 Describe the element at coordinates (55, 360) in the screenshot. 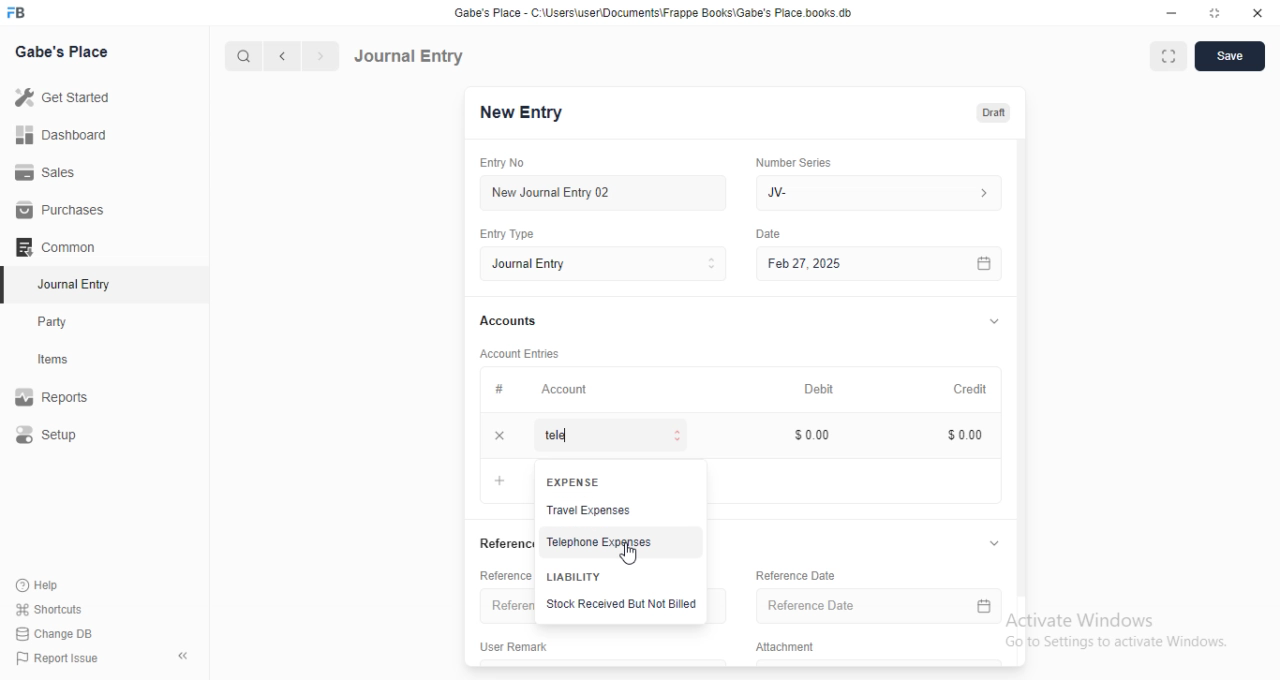

I see `Items` at that location.